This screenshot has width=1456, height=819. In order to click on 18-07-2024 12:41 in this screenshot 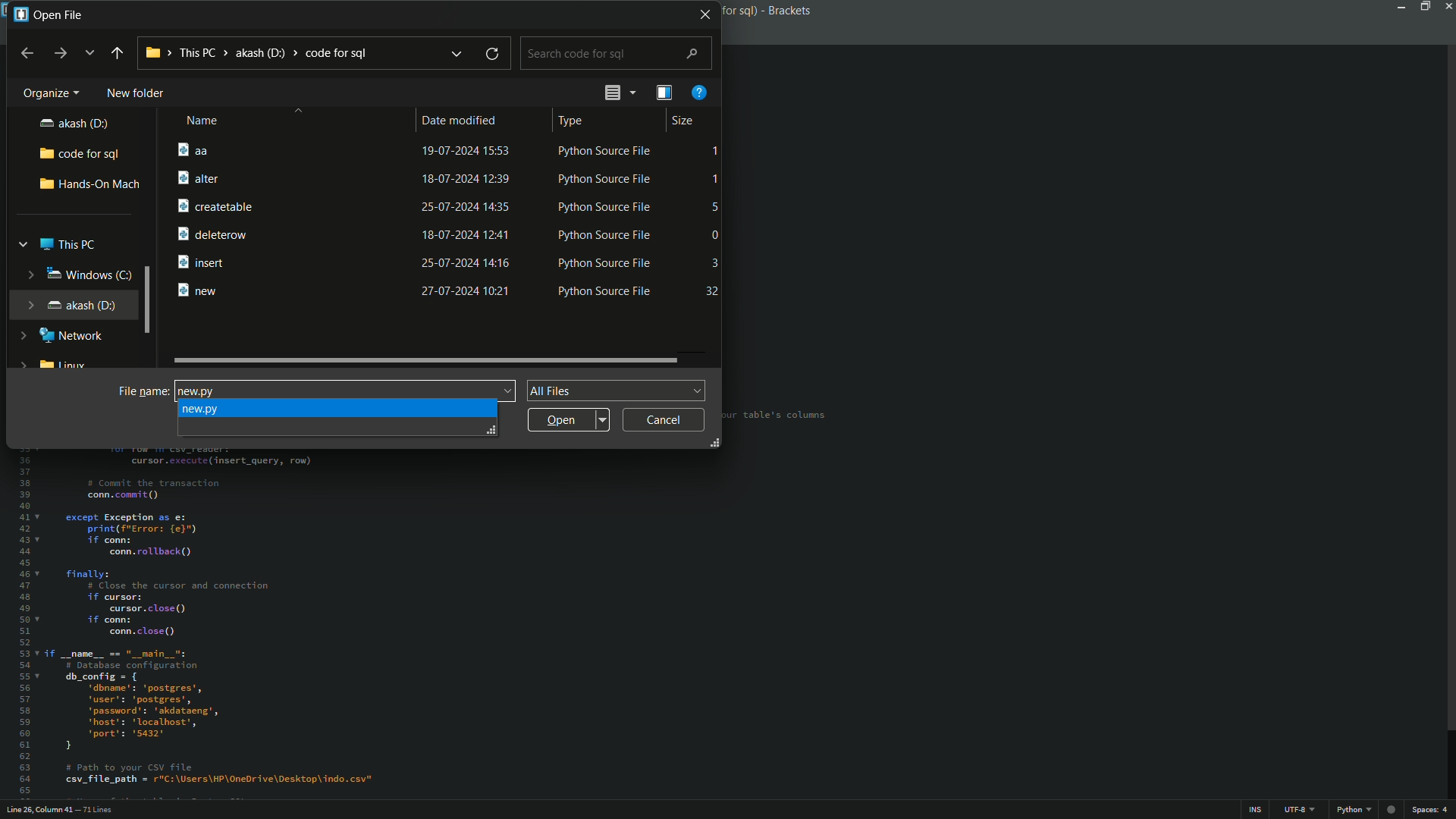, I will do `click(467, 234)`.